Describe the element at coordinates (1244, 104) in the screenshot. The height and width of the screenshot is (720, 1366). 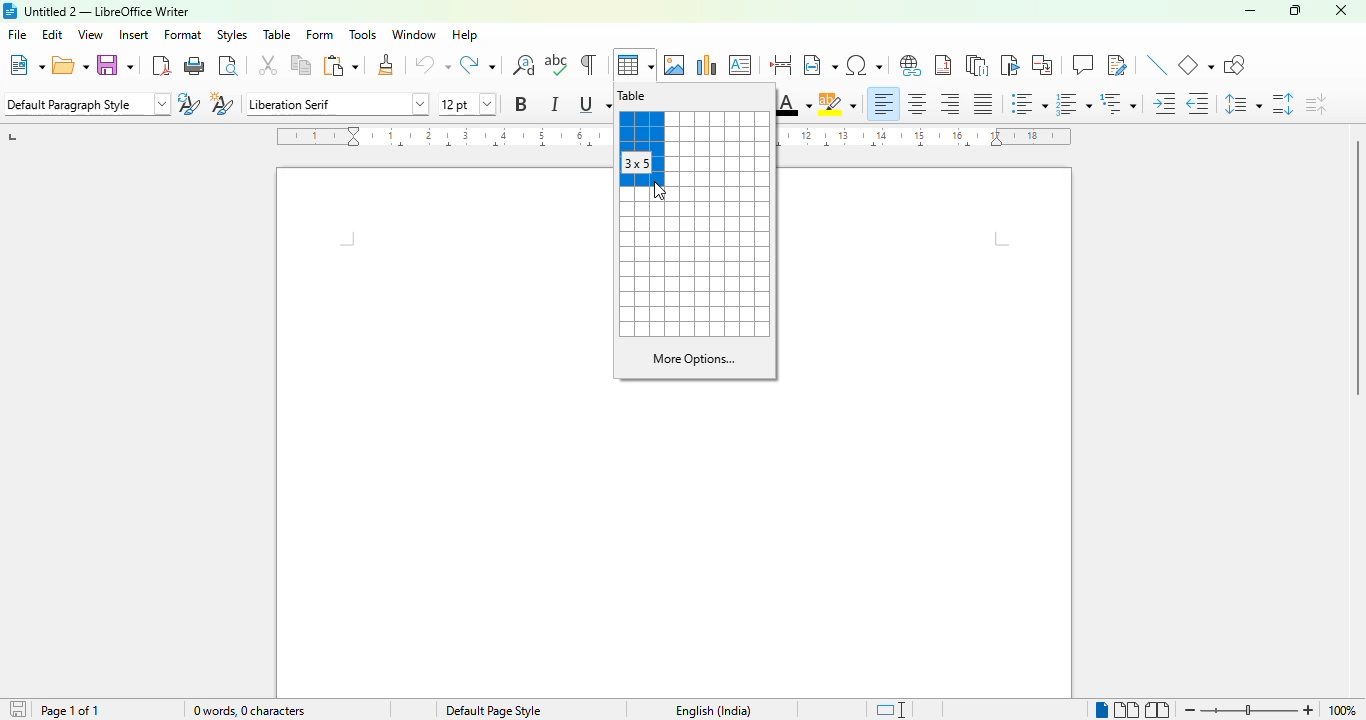
I see `set line spacing` at that location.